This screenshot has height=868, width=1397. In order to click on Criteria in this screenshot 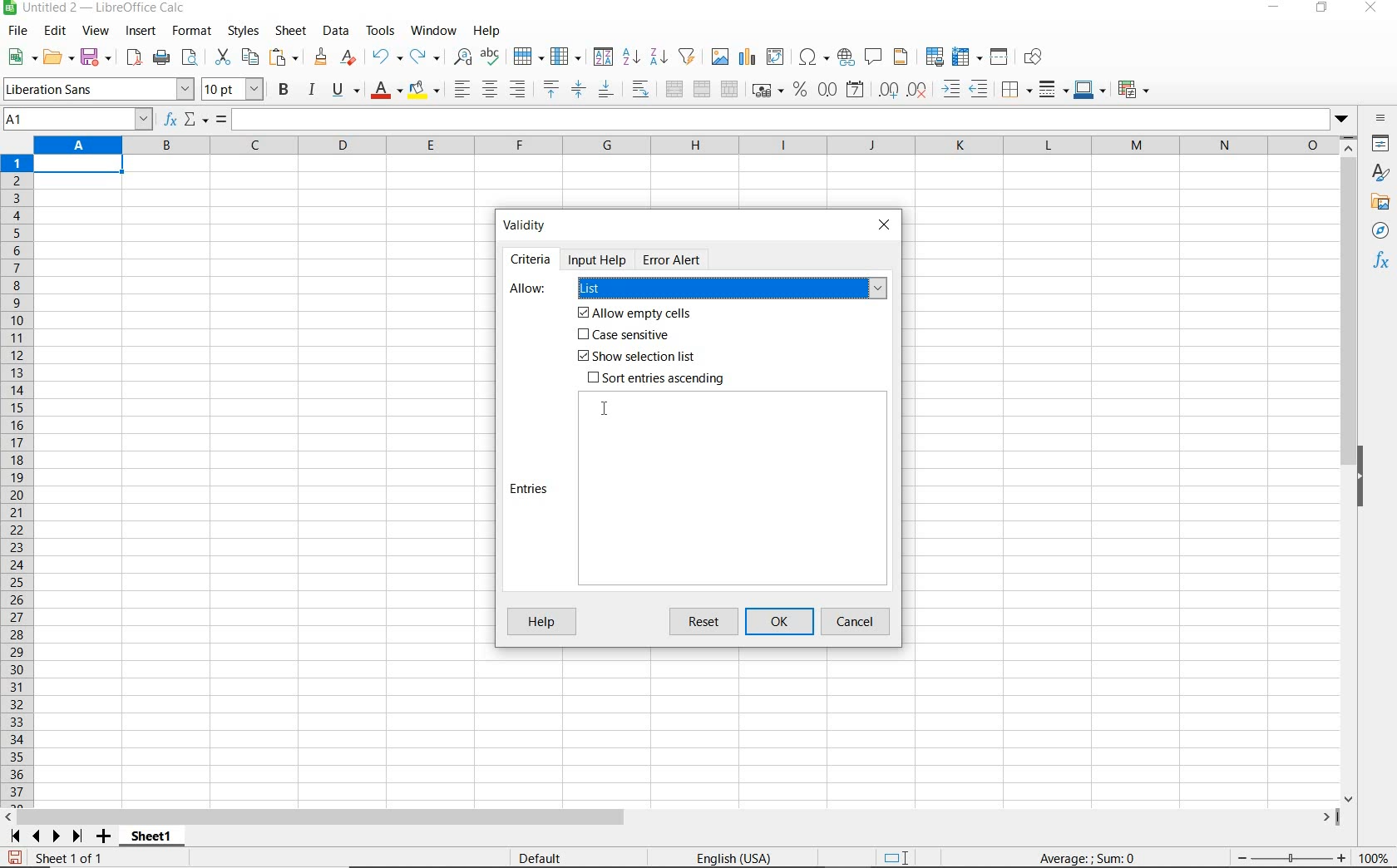, I will do `click(531, 259)`.